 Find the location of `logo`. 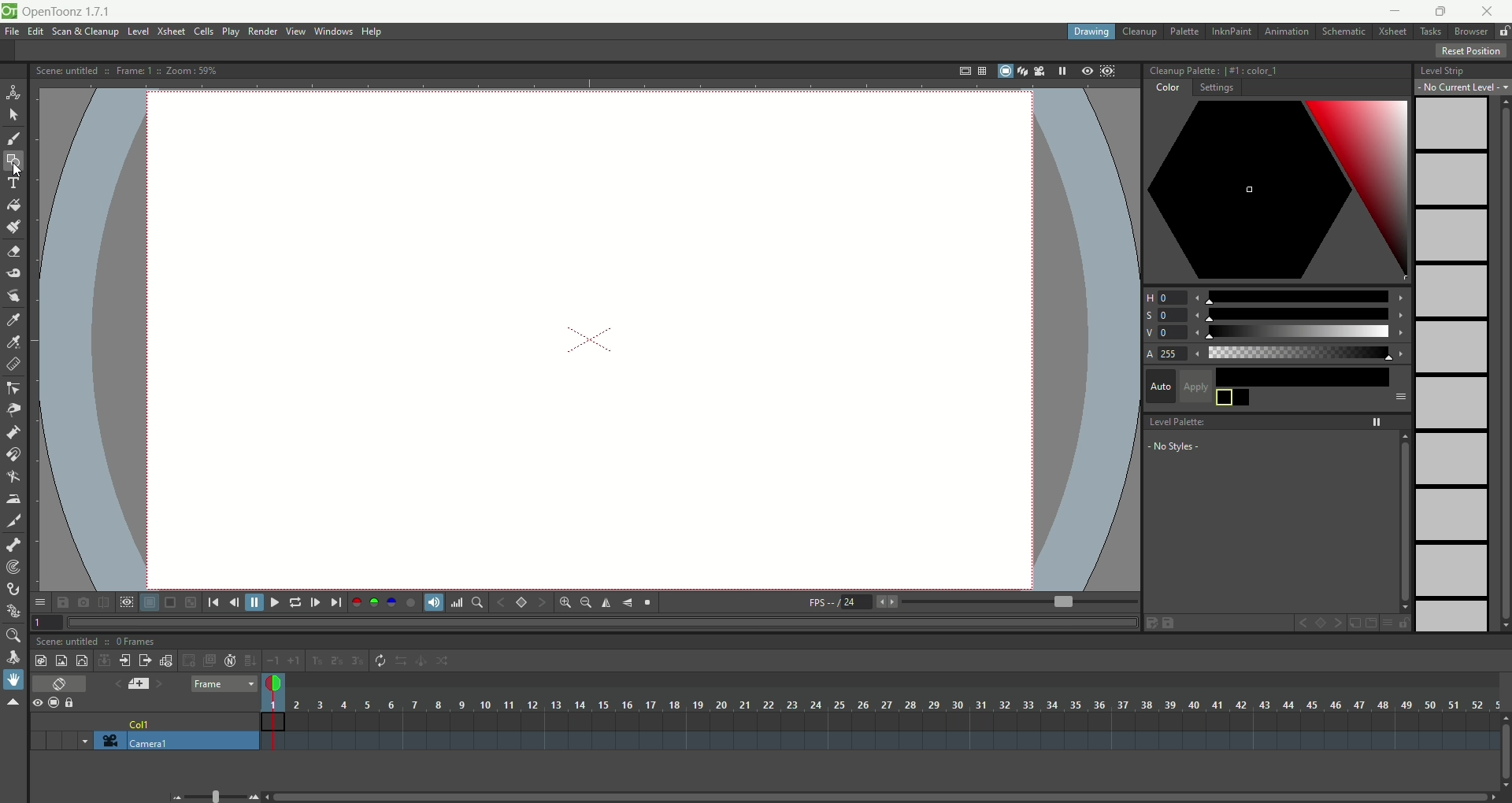

logo is located at coordinates (9, 11).